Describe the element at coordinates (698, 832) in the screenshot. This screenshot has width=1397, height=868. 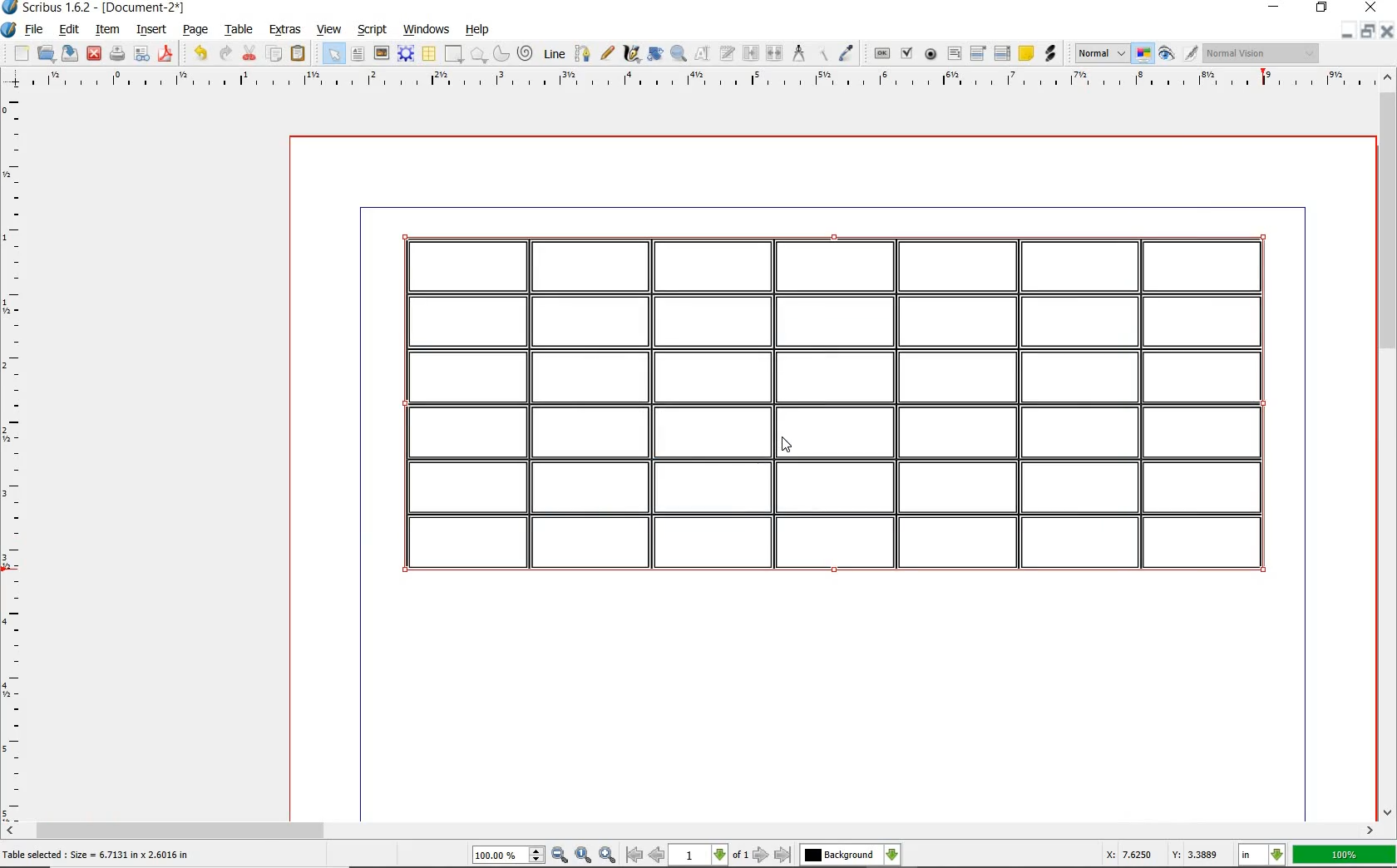
I see `scrollbar` at that location.